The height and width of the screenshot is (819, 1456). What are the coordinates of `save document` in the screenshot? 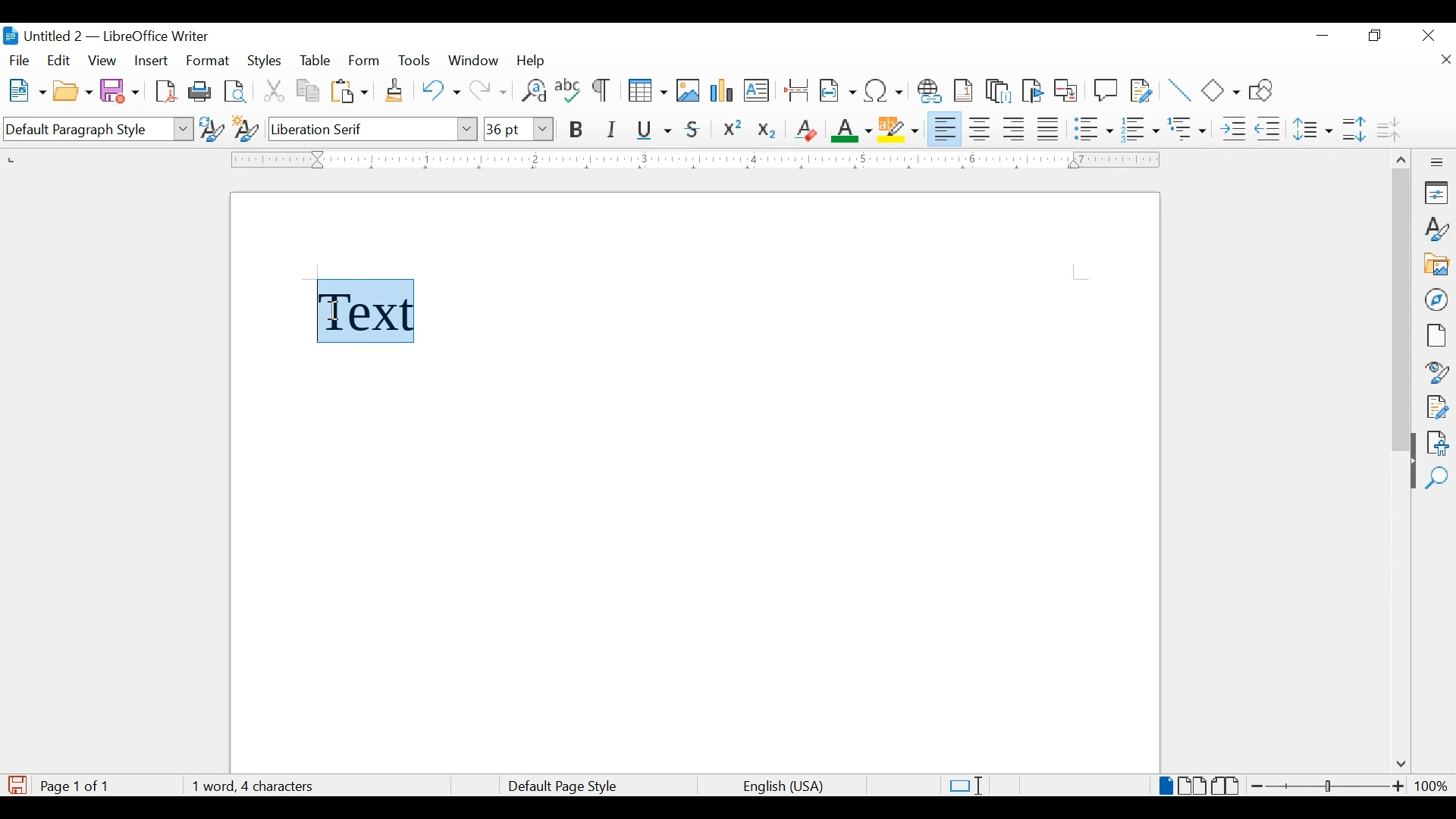 It's located at (17, 785).